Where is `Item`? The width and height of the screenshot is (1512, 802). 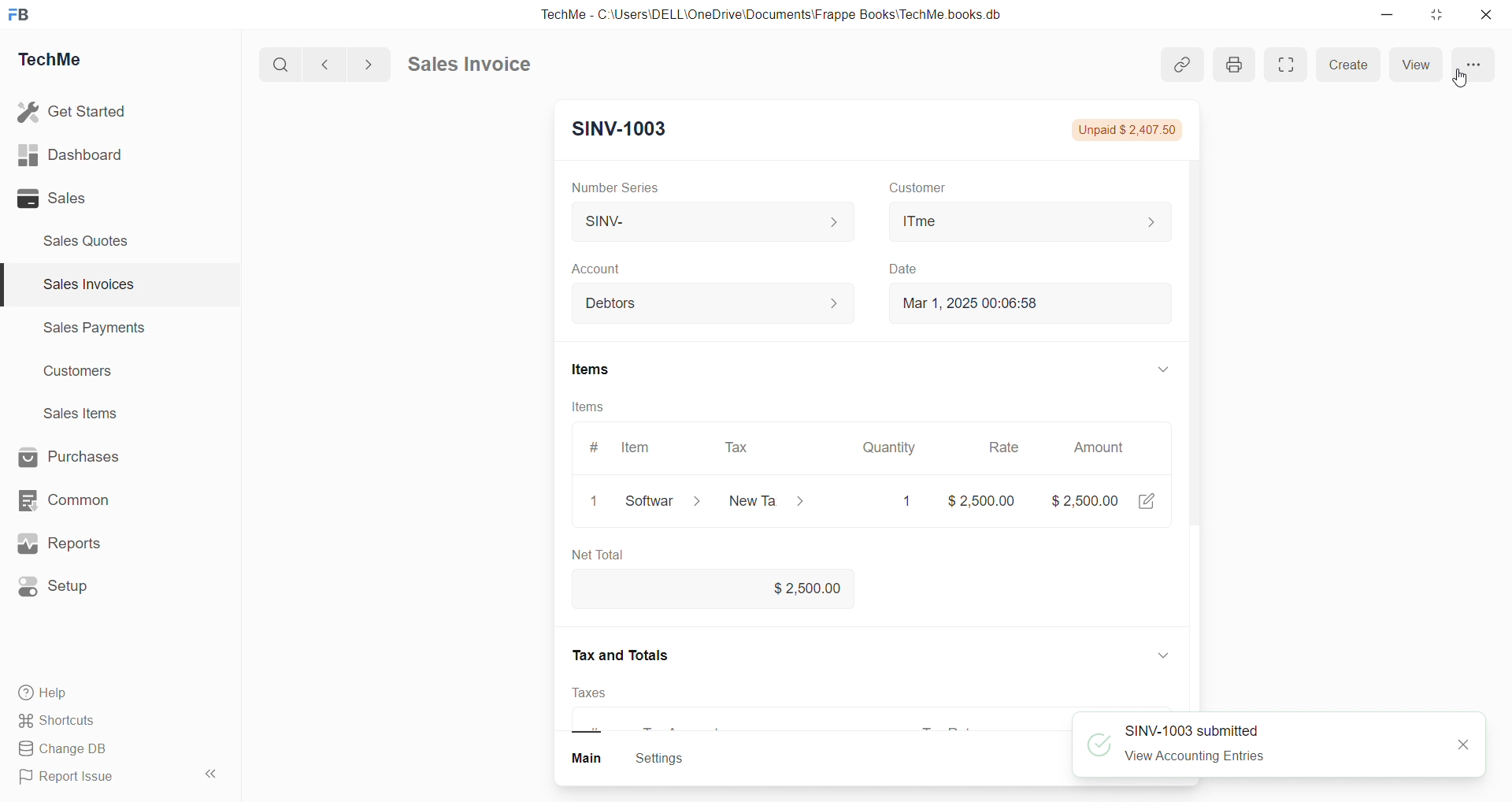 Item is located at coordinates (643, 447).